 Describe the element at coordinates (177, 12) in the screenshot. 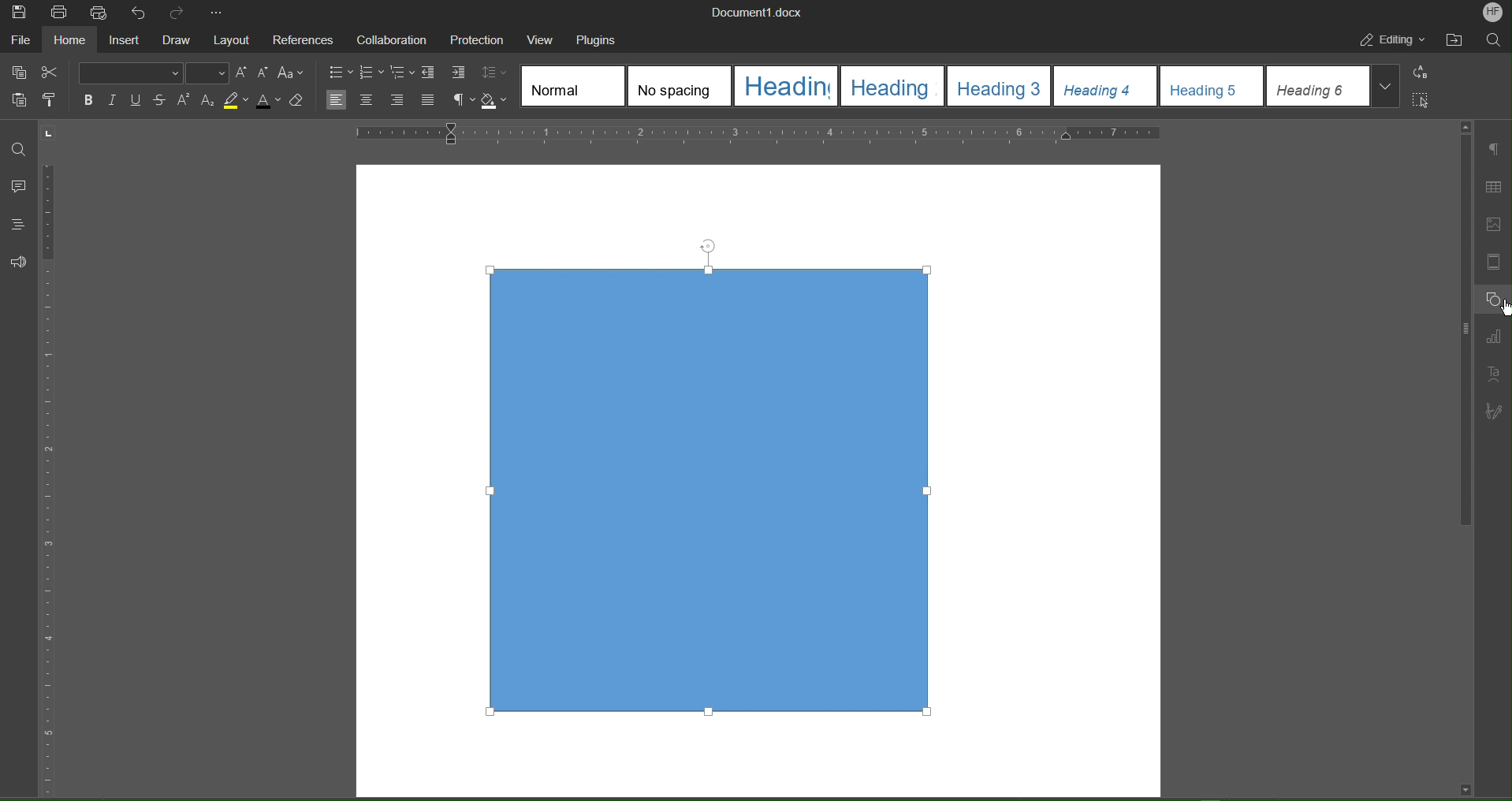

I see `Redo` at that location.